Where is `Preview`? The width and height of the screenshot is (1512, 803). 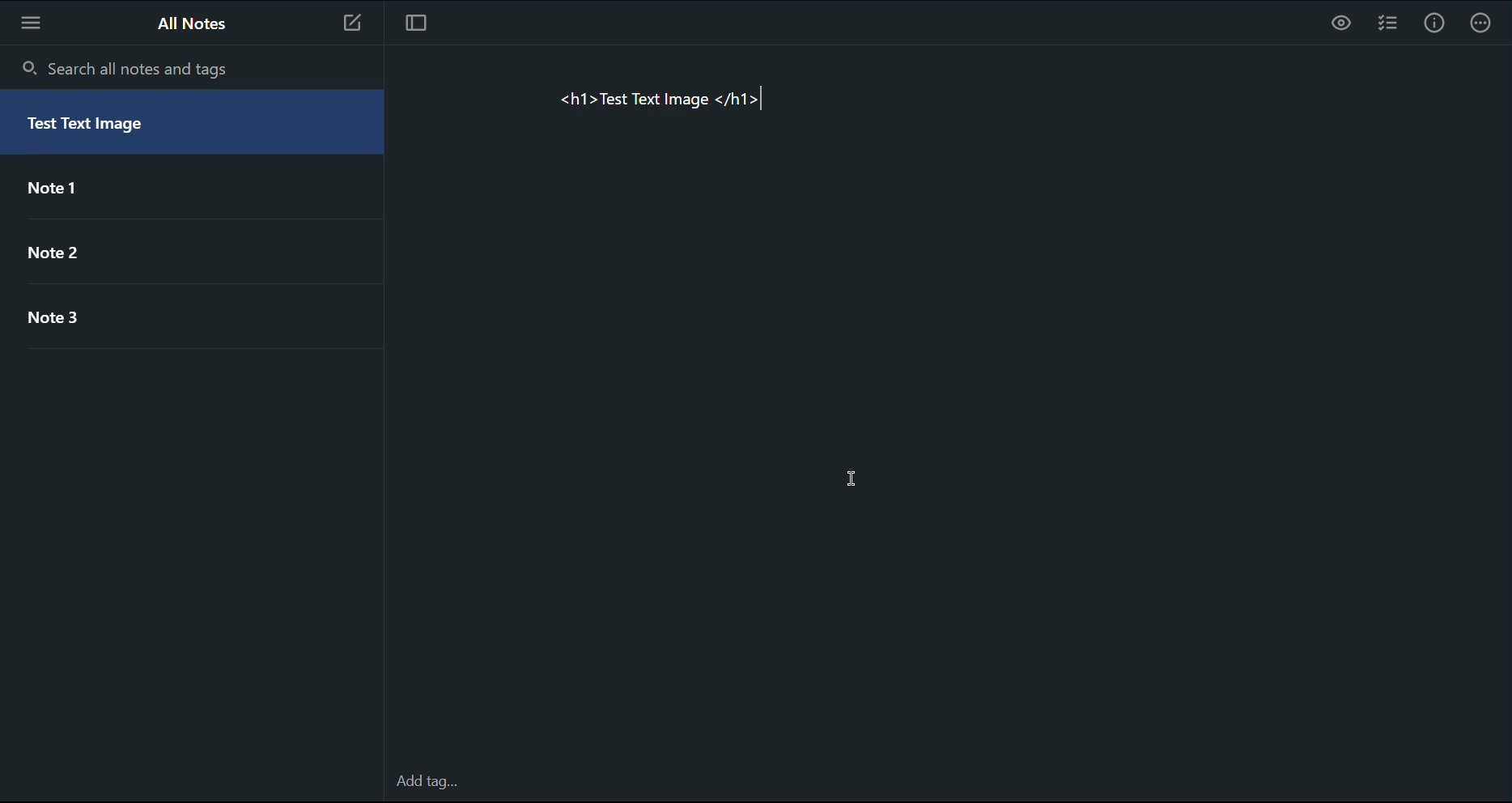 Preview is located at coordinates (1341, 26).